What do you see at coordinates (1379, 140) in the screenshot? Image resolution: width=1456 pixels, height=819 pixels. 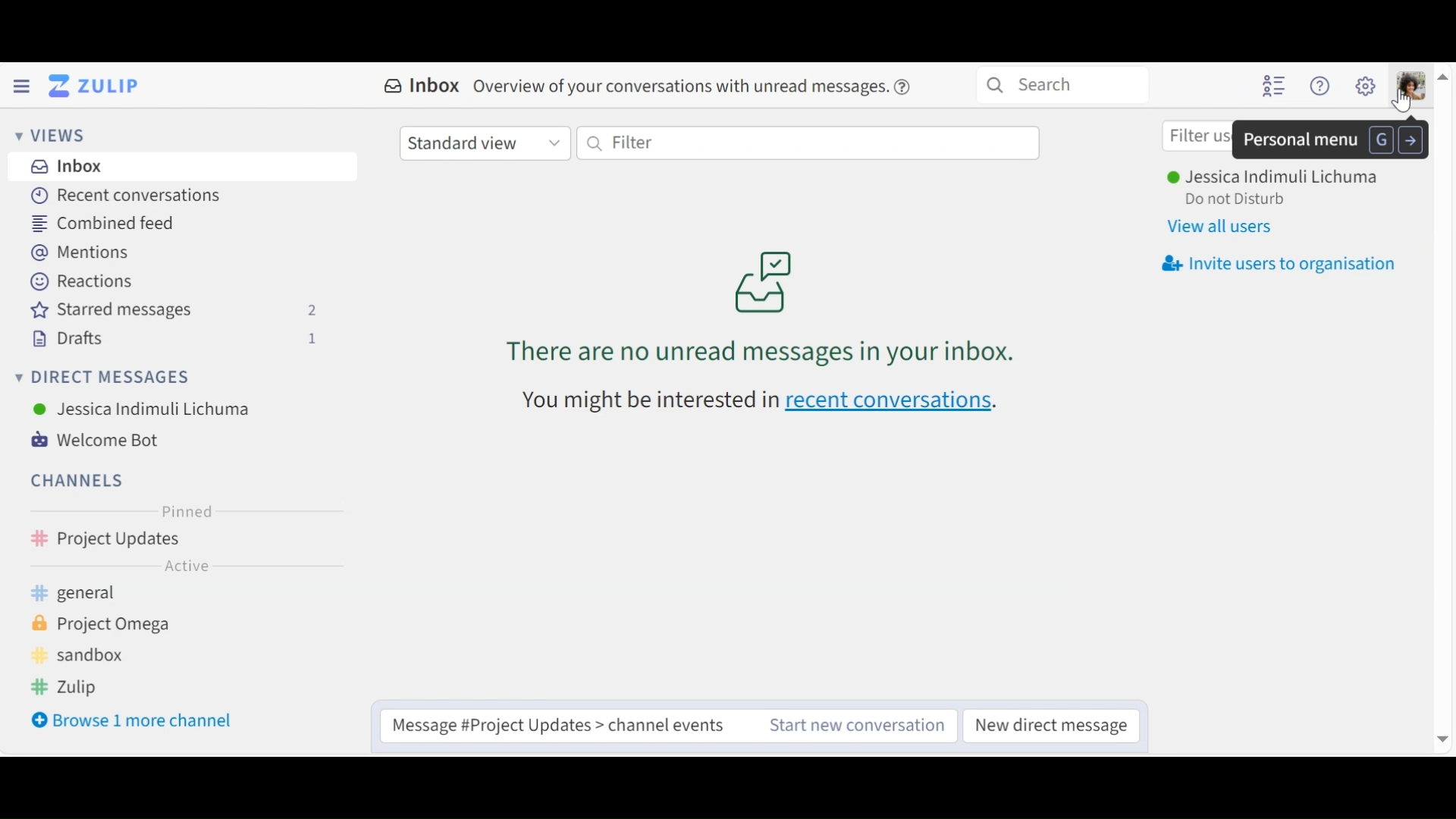 I see `G` at bounding box center [1379, 140].